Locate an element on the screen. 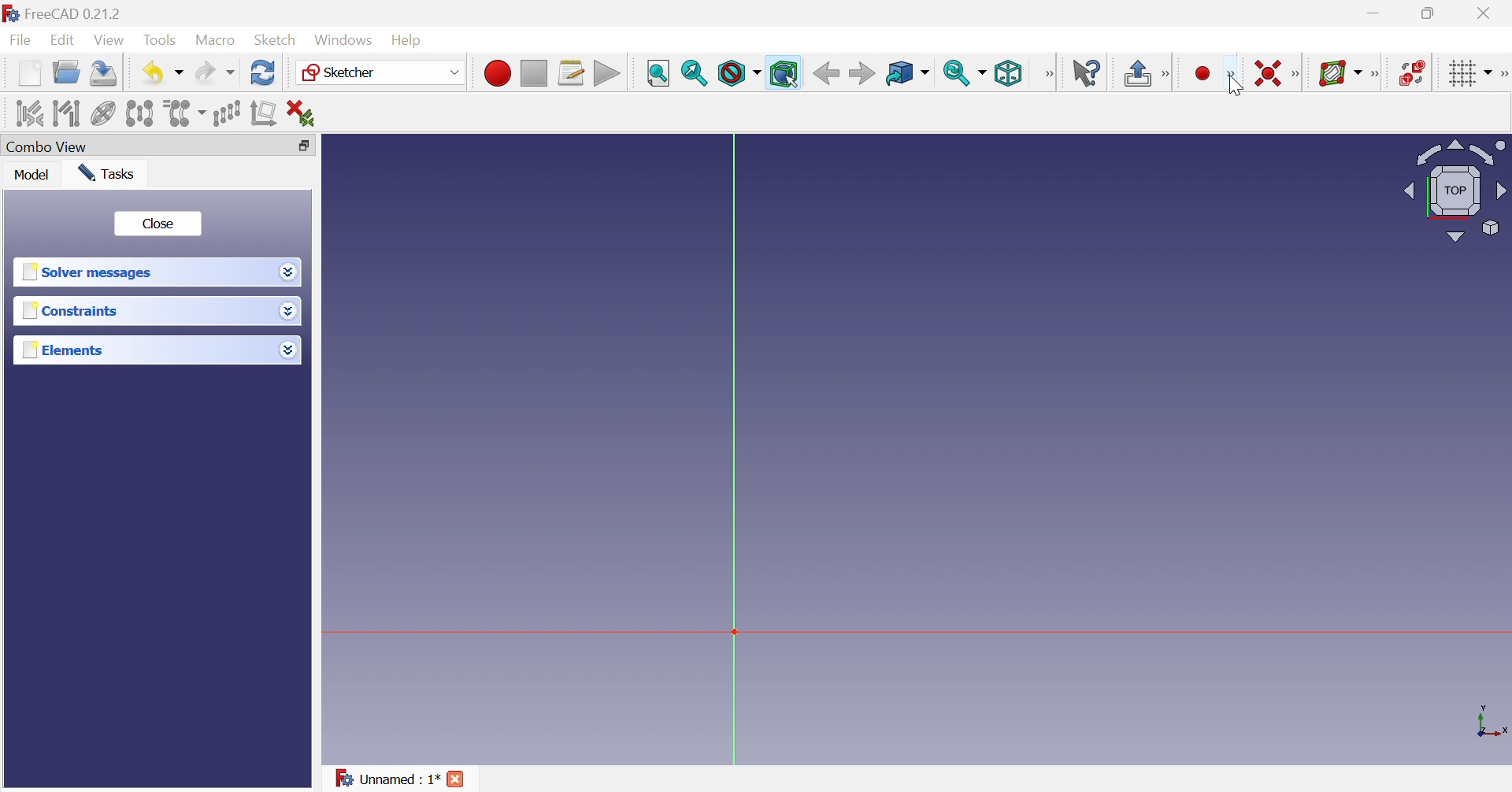  Close is located at coordinates (1484, 13).